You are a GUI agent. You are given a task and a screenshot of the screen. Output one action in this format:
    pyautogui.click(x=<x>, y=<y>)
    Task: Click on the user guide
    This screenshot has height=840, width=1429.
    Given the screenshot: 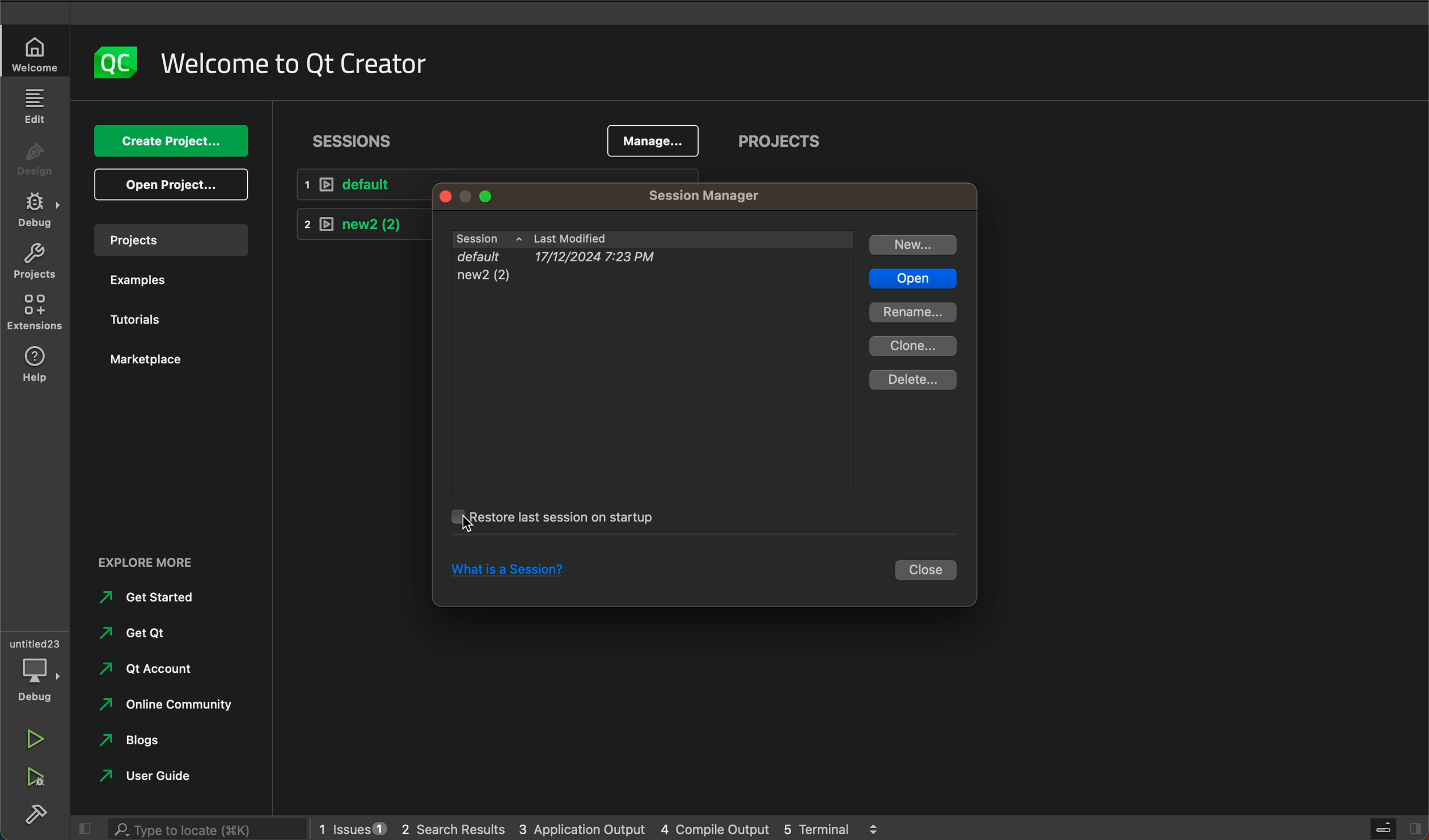 What is the action you would take?
    pyautogui.click(x=147, y=775)
    